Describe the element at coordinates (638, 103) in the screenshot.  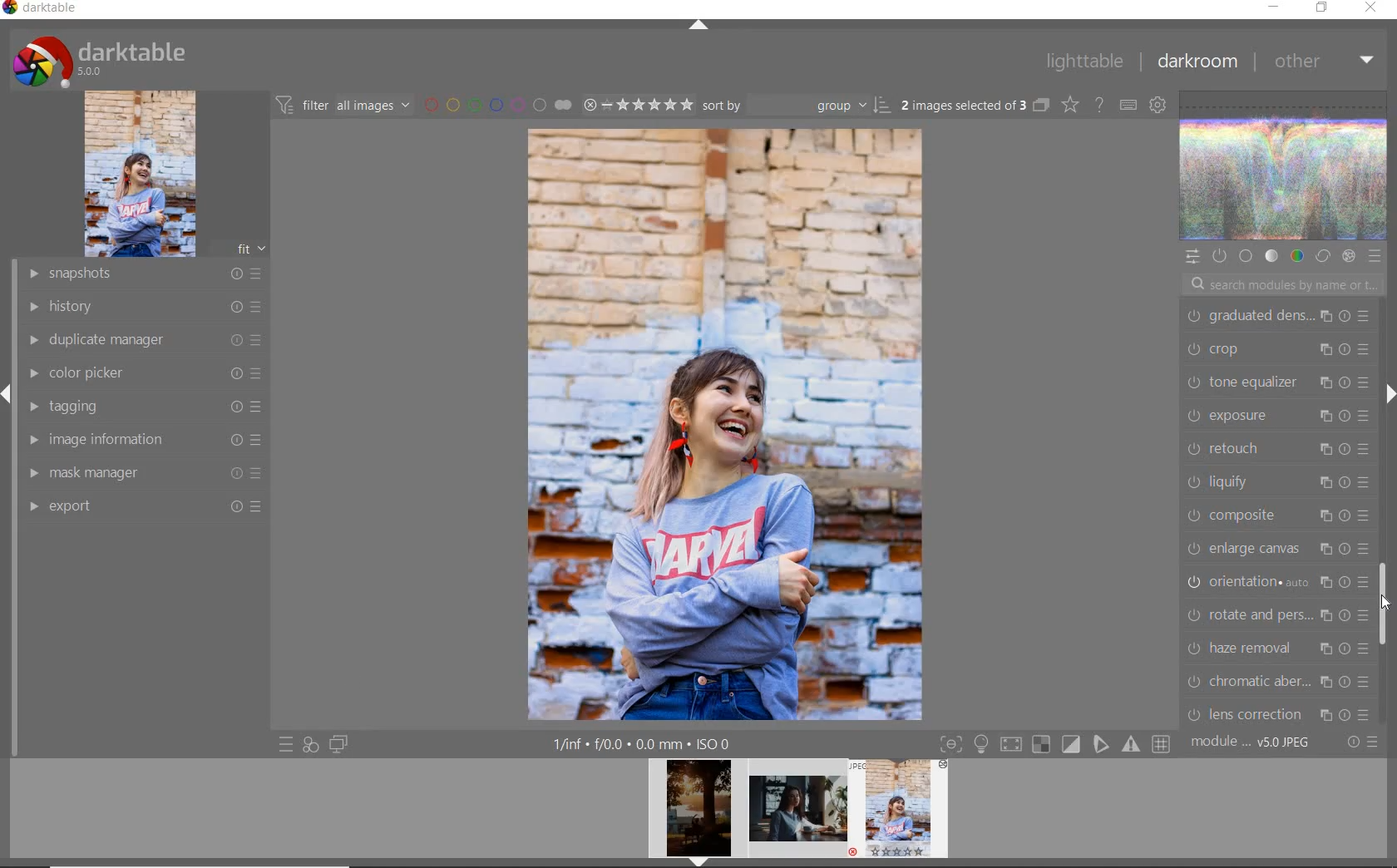
I see `SELECTED IMAGE RANGE RATING` at that location.